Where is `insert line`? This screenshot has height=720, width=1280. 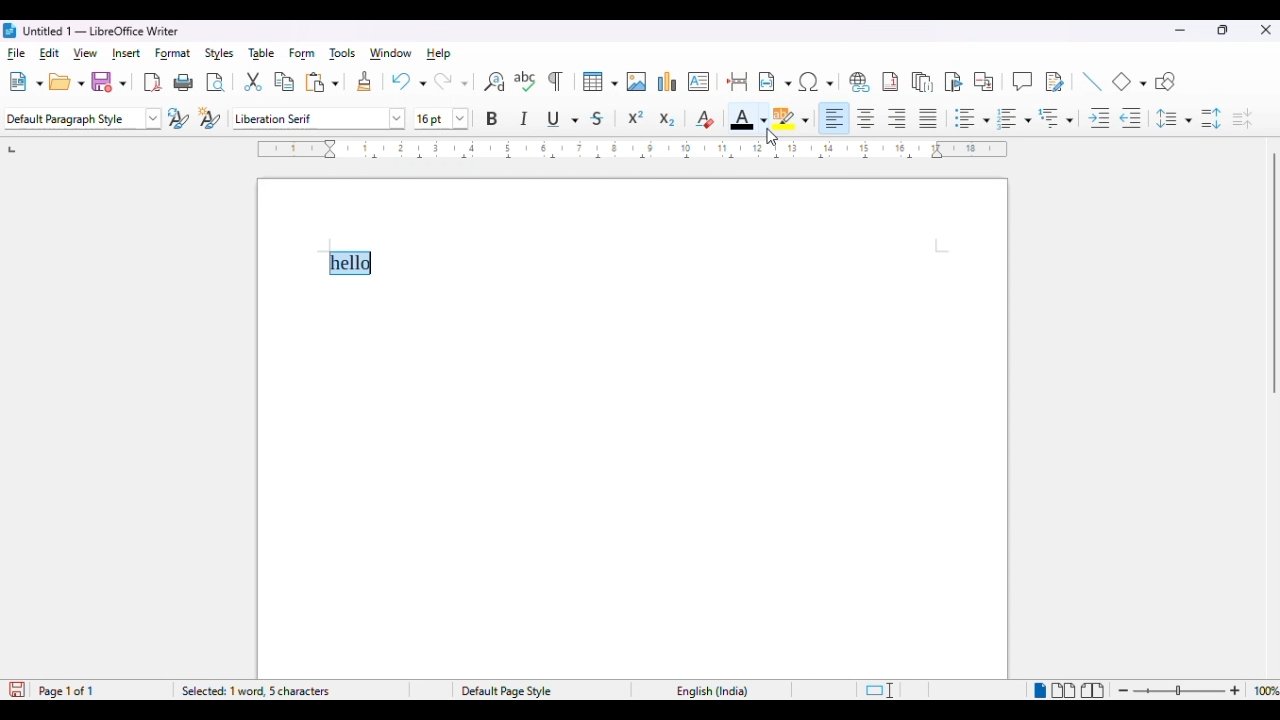 insert line is located at coordinates (1091, 81).